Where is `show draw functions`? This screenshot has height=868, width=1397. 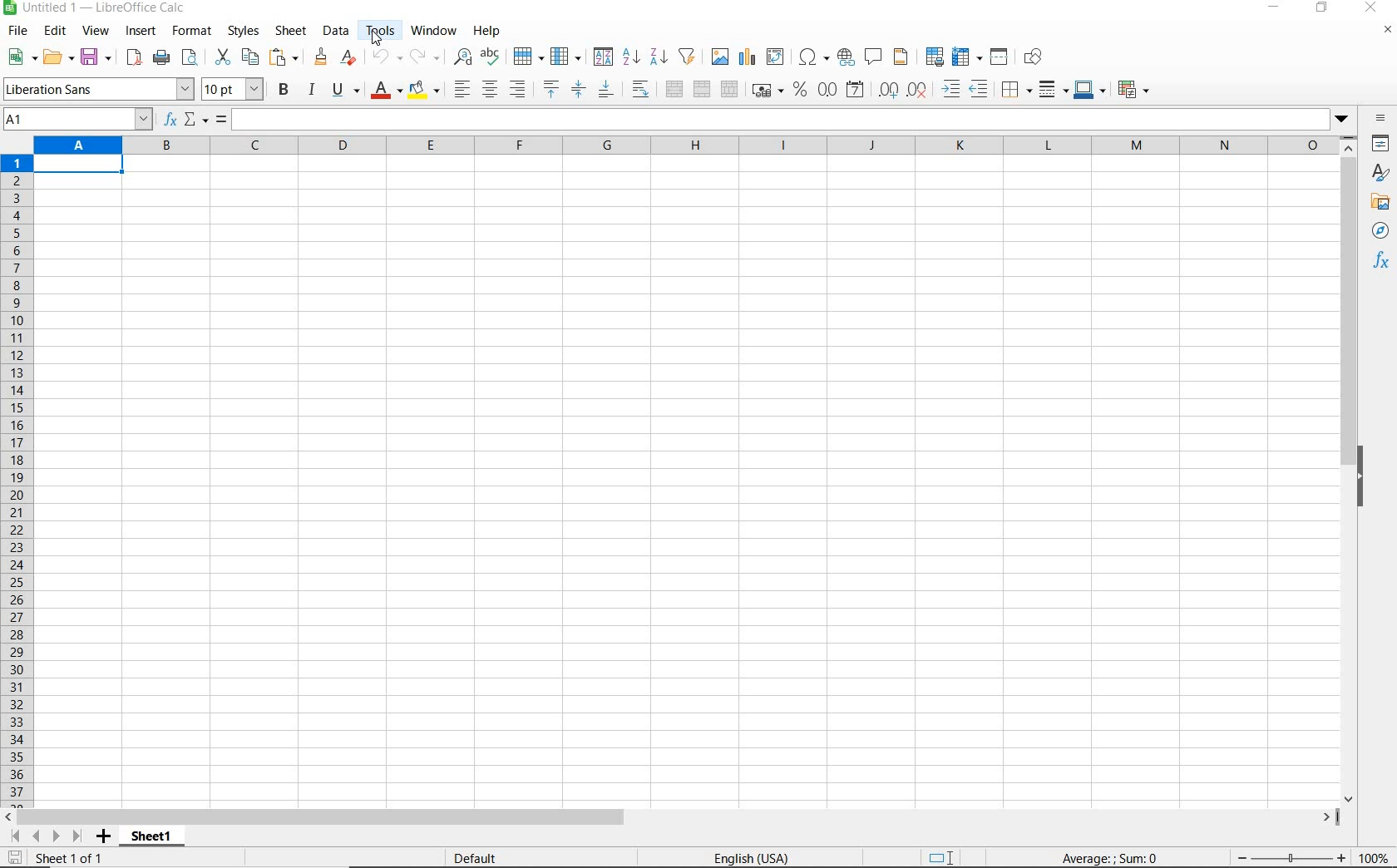 show draw functions is located at coordinates (1034, 57).